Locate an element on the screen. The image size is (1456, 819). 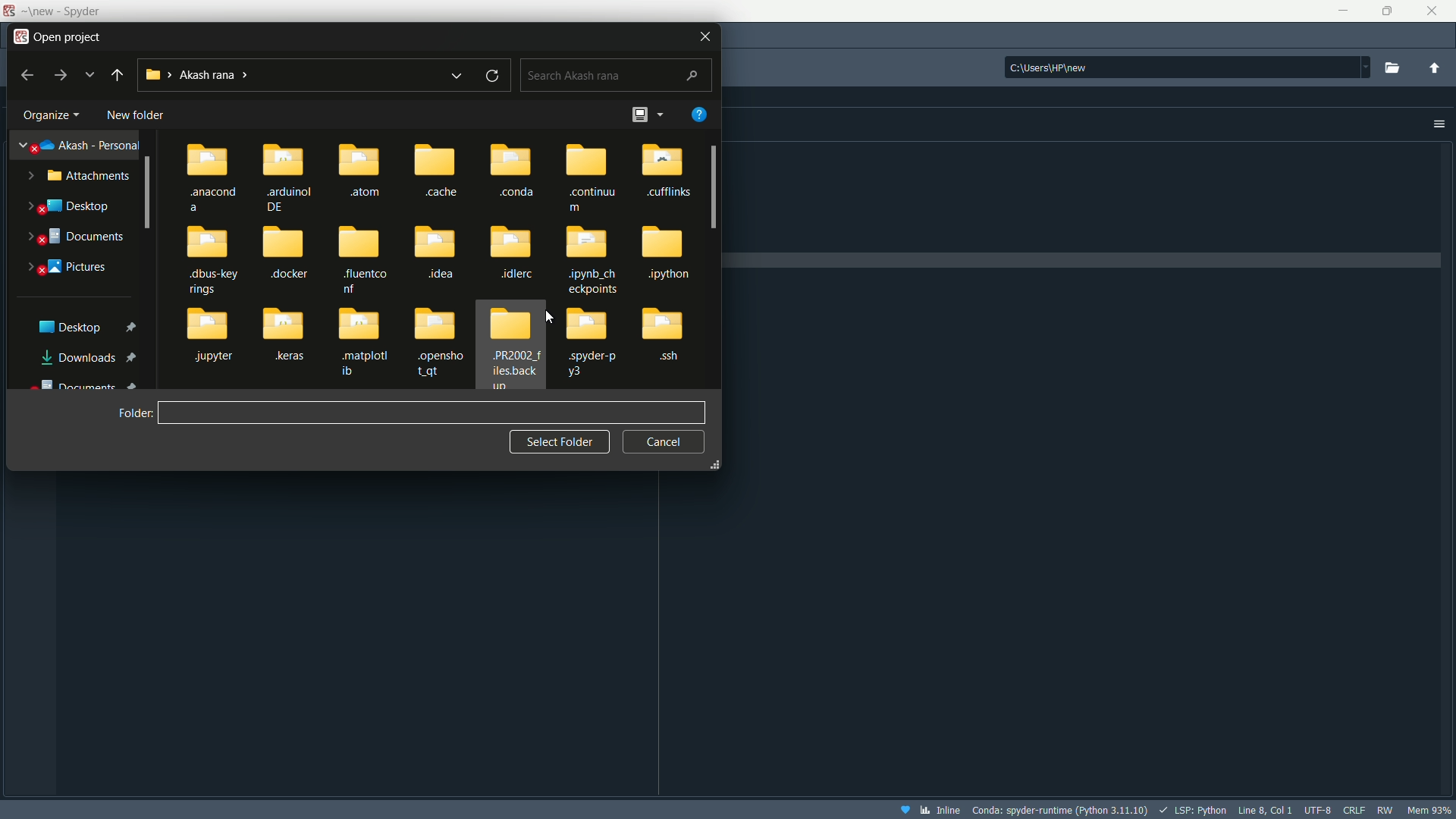
search bar is located at coordinates (616, 73).